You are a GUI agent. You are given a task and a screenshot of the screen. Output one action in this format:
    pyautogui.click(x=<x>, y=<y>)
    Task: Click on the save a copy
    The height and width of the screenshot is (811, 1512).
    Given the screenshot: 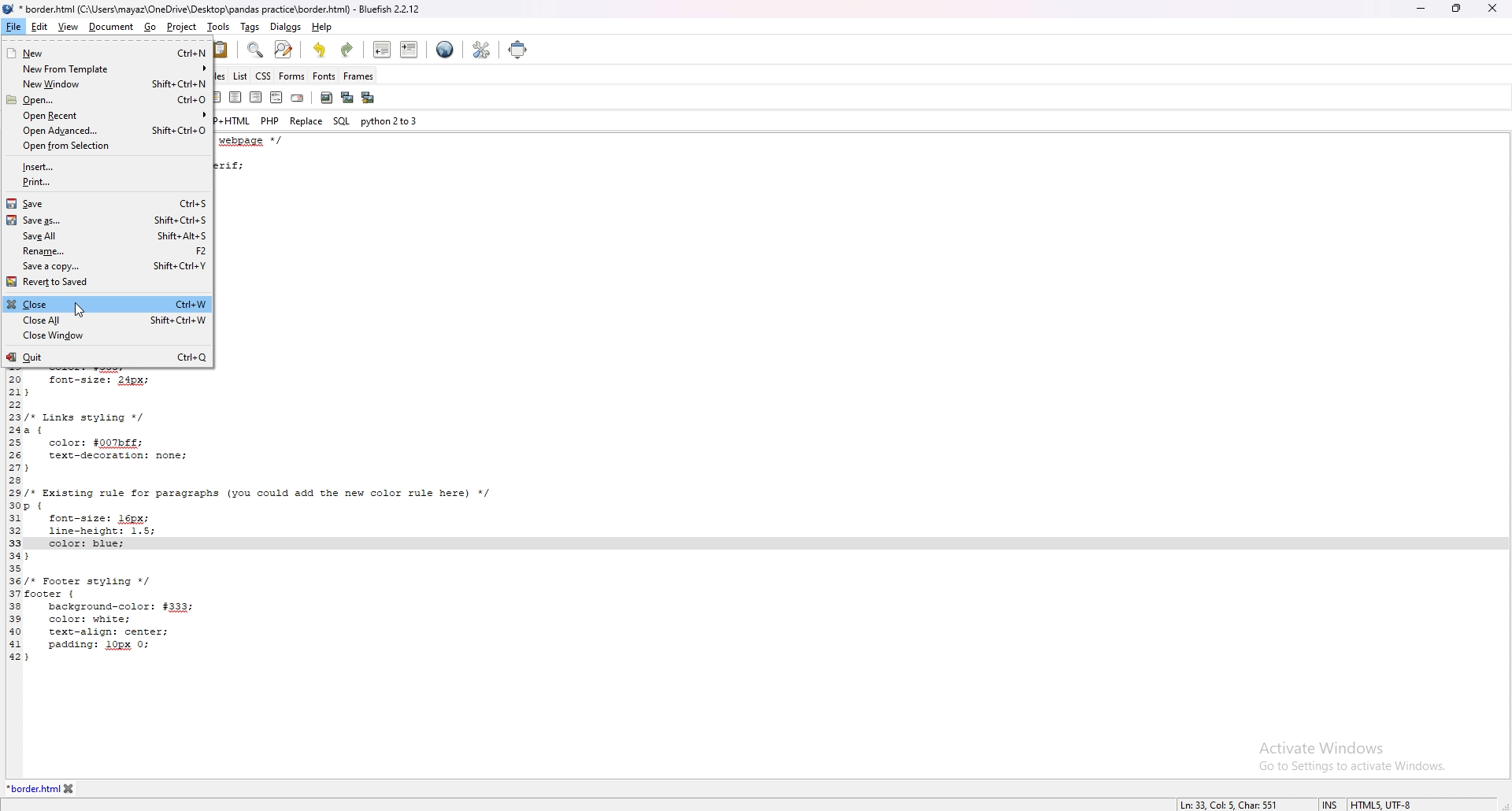 What is the action you would take?
    pyautogui.click(x=107, y=265)
    